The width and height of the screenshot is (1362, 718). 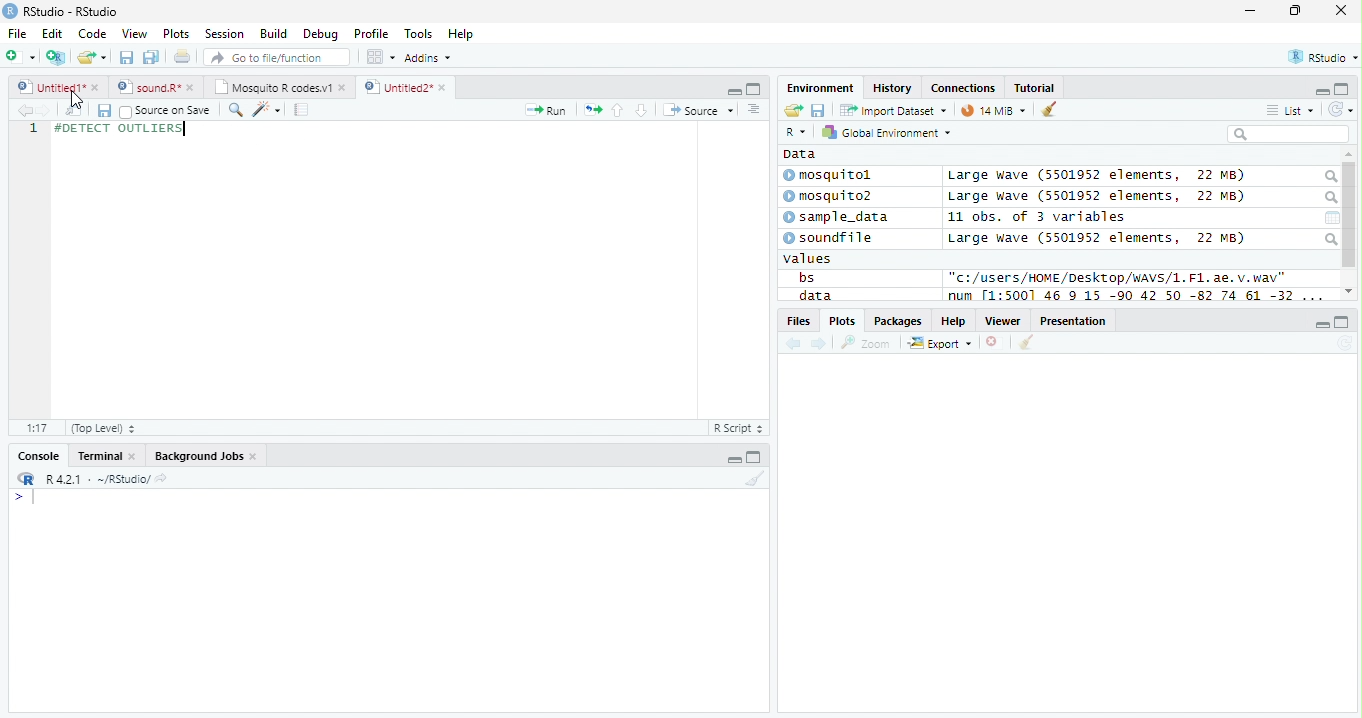 What do you see at coordinates (165, 112) in the screenshot?
I see `Source on save` at bounding box center [165, 112].